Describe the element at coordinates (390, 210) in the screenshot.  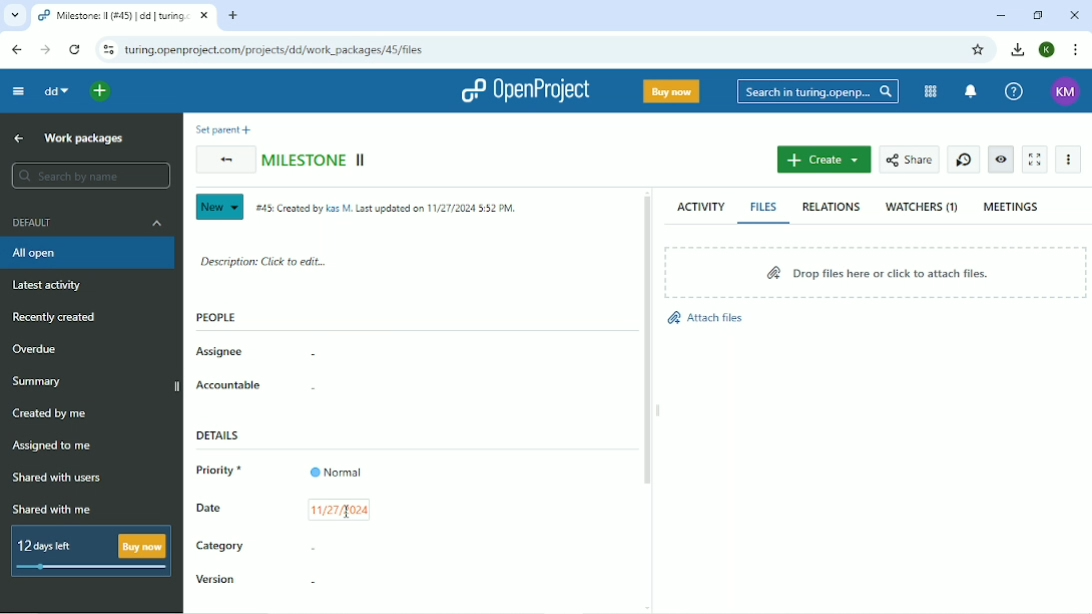
I see `Created by and on` at that location.